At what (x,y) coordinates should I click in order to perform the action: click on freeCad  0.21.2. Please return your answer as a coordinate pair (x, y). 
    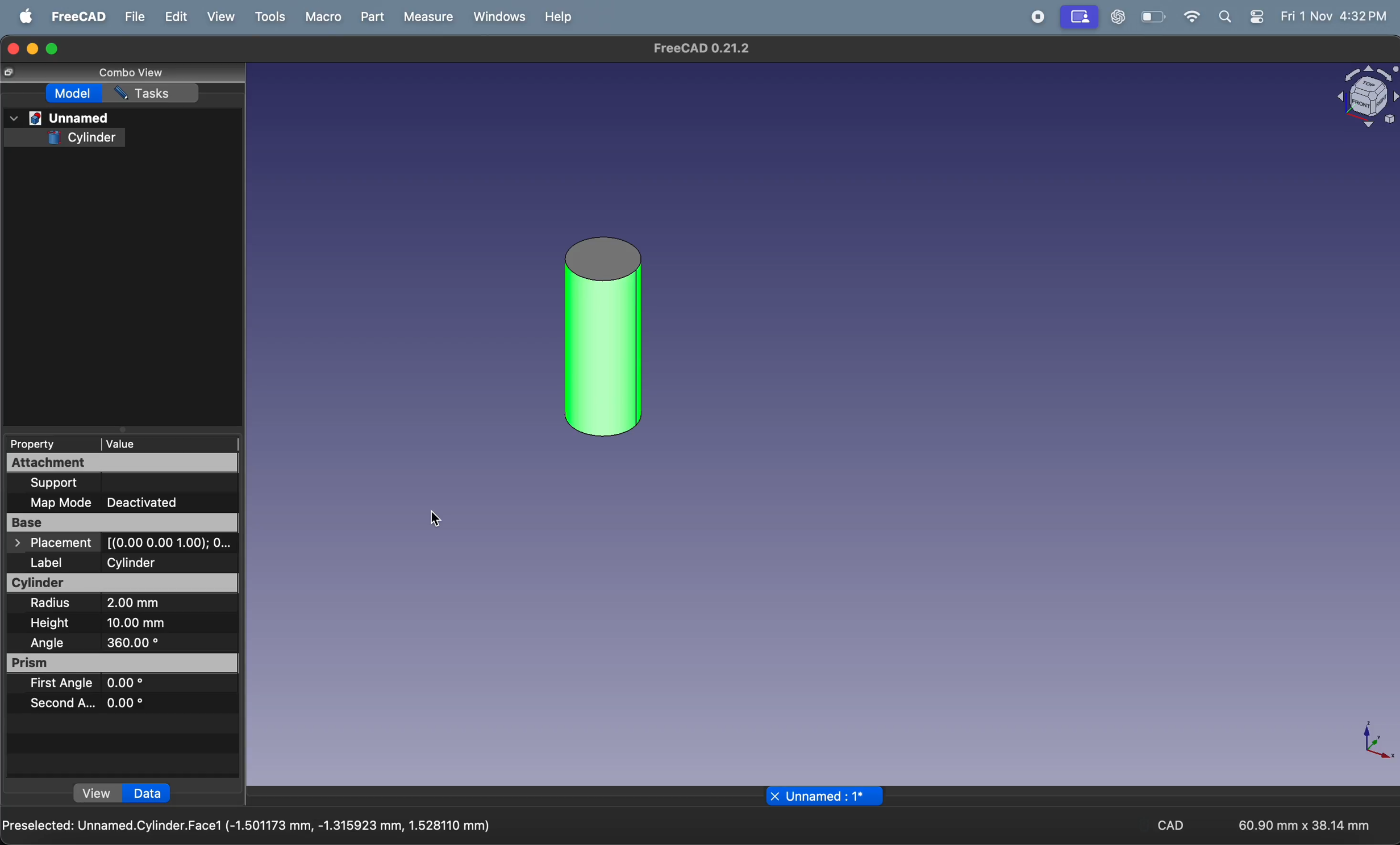
    Looking at the image, I should click on (701, 48).